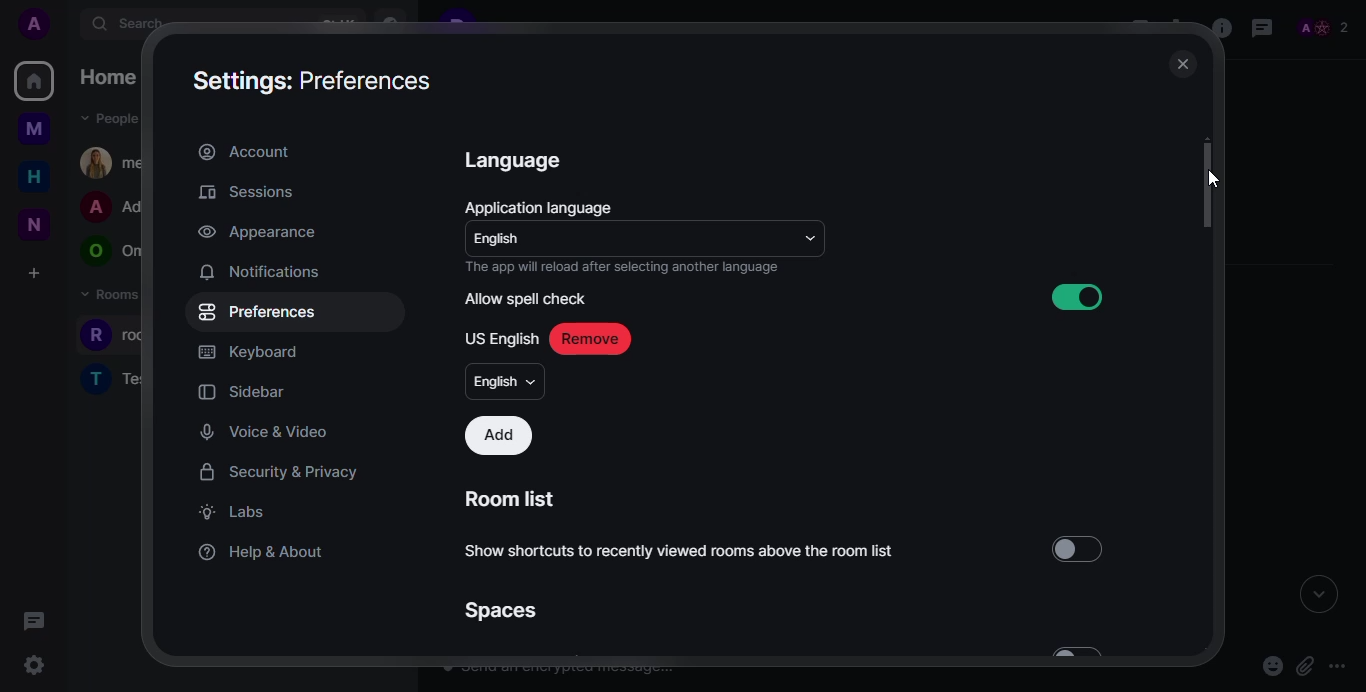 The image size is (1366, 692). What do you see at coordinates (637, 270) in the screenshot?
I see `The app will reload after selecting another language` at bounding box center [637, 270].